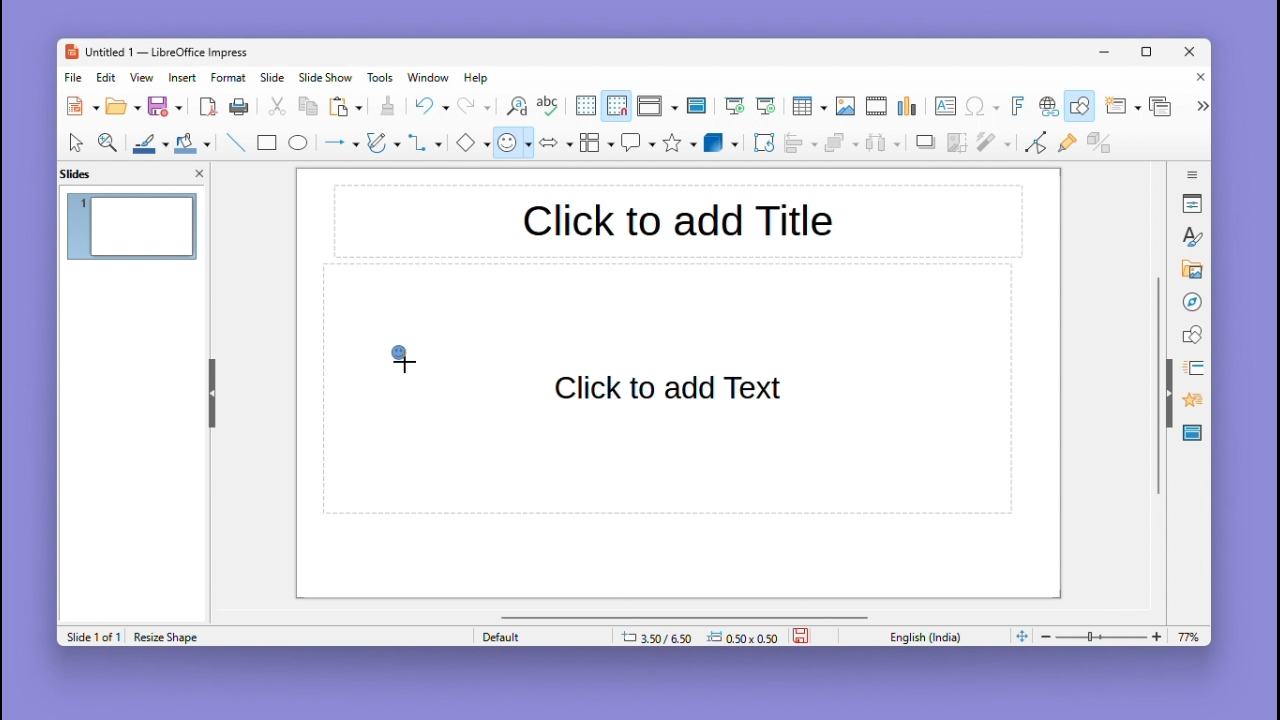  What do you see at coordinates (672, 389) in the screenshot?
I see `Content` at bounding box center [672, 389].